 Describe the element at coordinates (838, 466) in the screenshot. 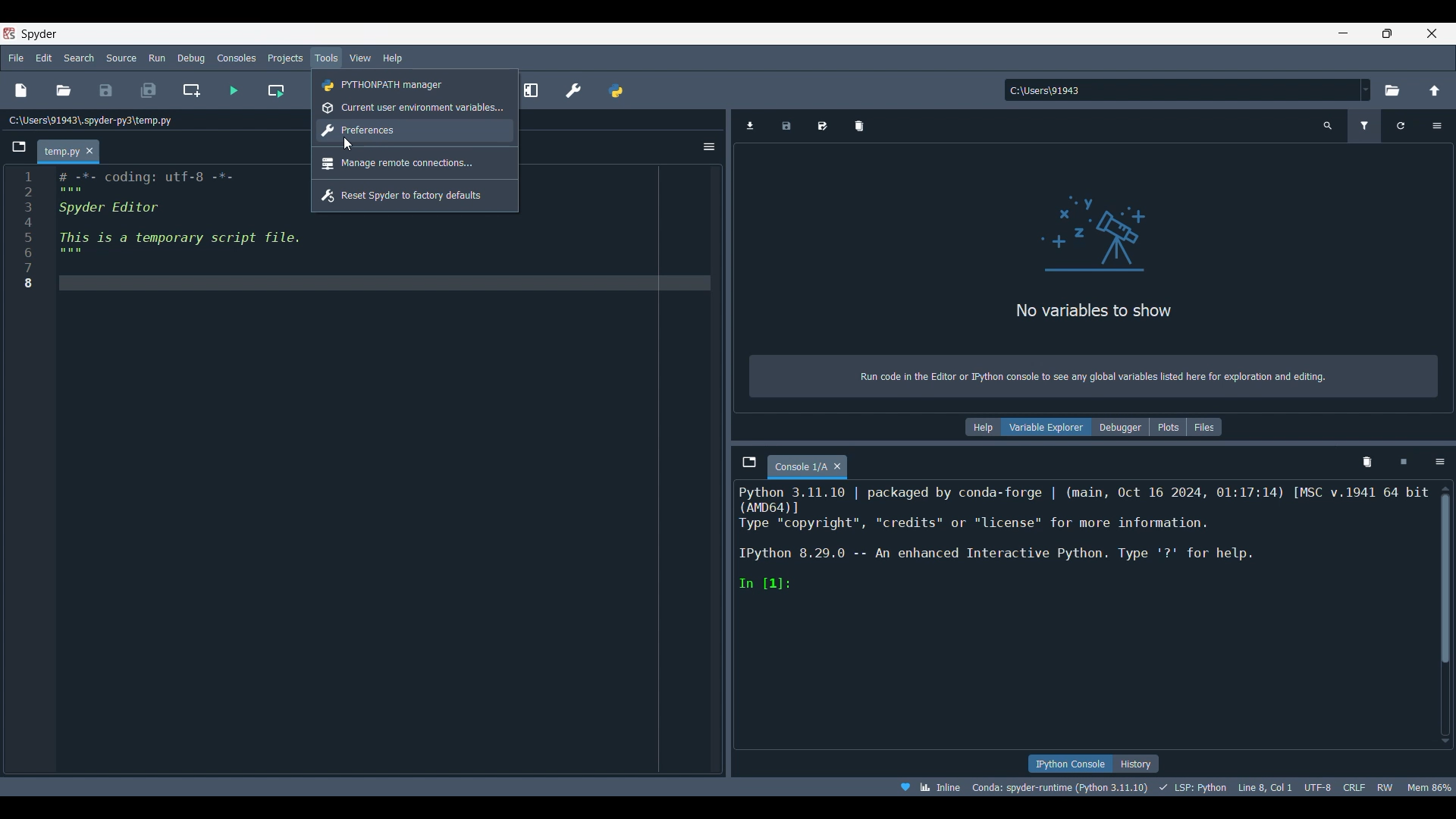

I see `Close tab` at that location.